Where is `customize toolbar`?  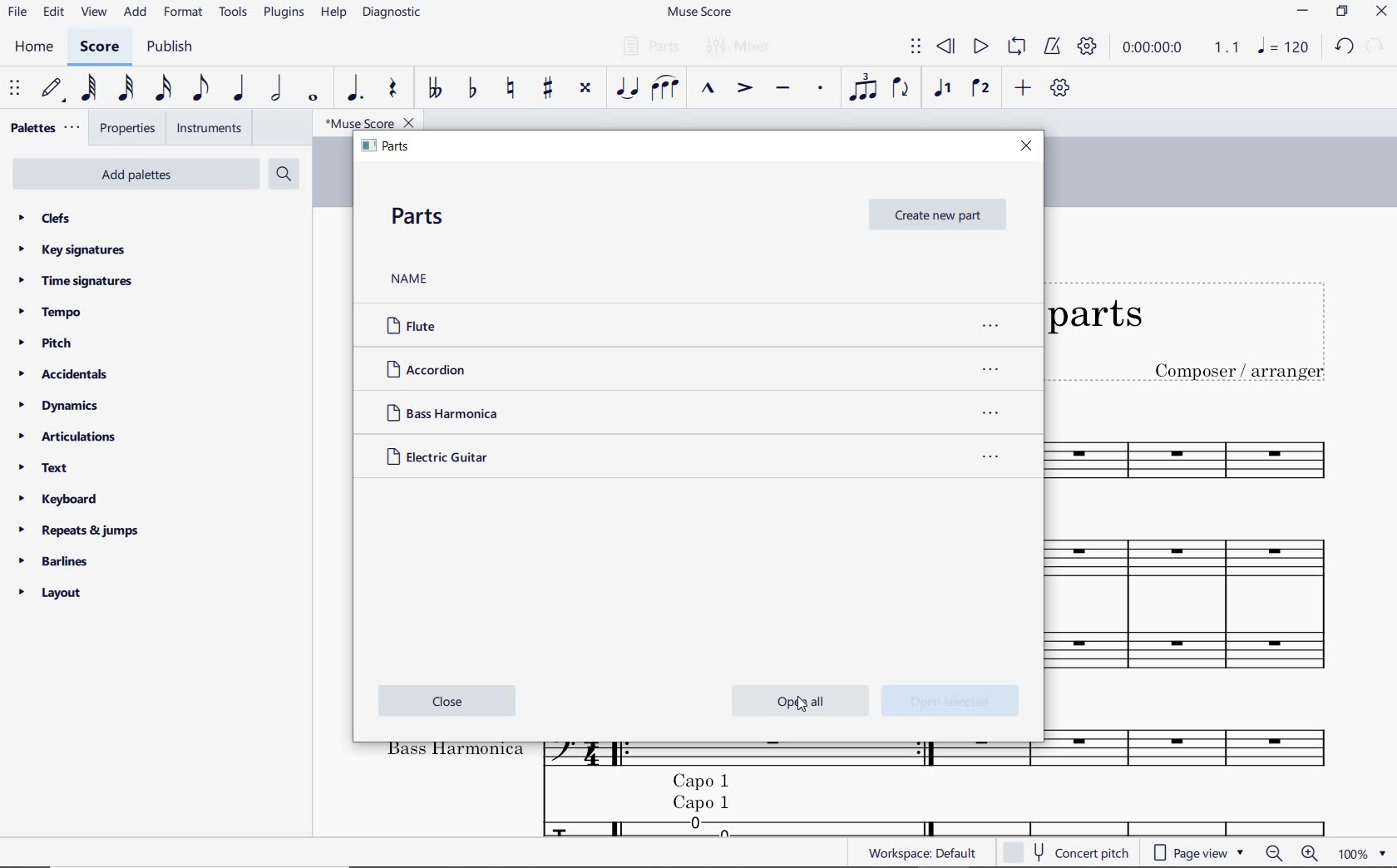 customize toolbar is located at coordinates (1060, 89).